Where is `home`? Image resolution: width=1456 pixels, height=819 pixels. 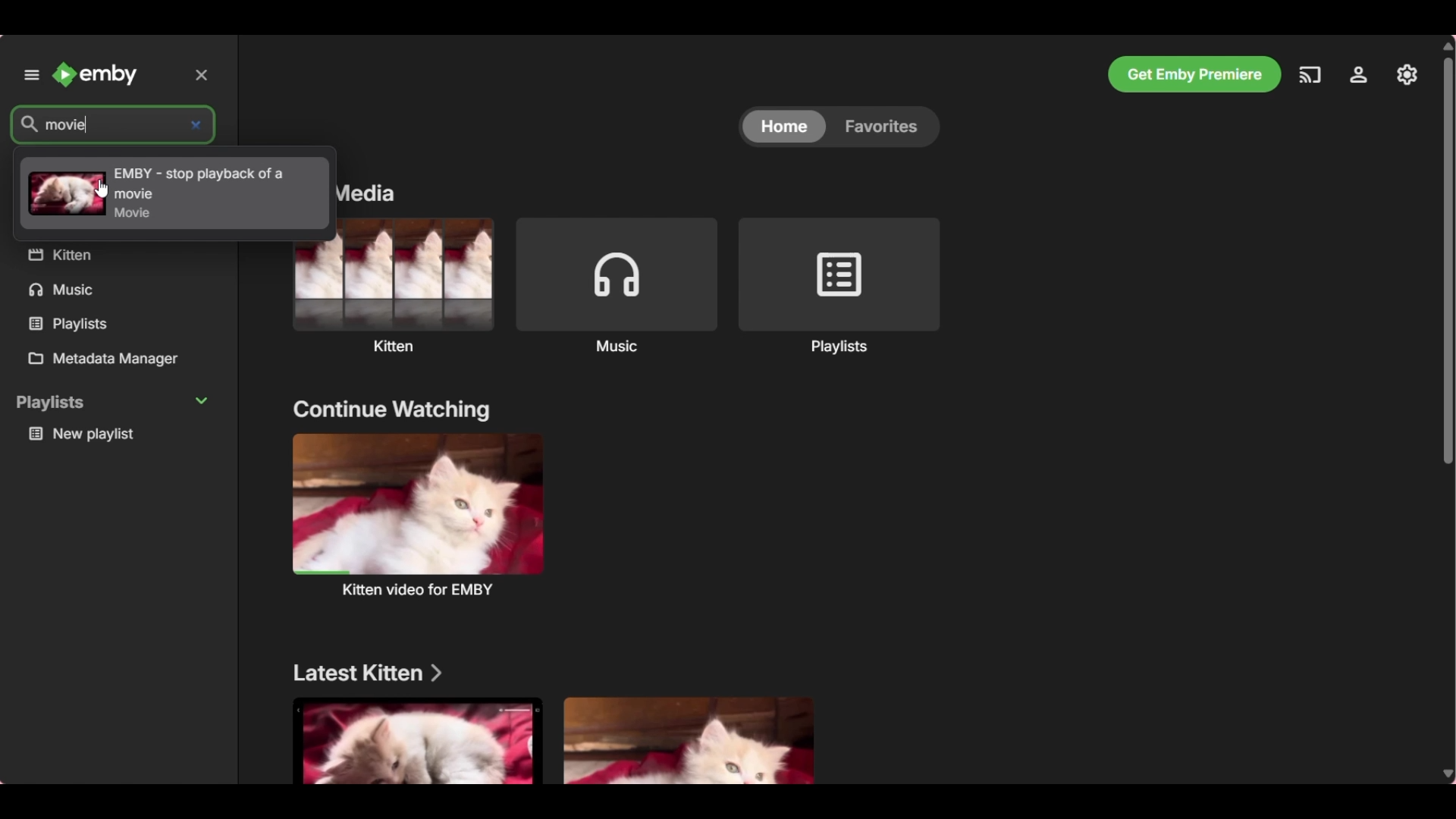 home is located at coordinates (781, 126).